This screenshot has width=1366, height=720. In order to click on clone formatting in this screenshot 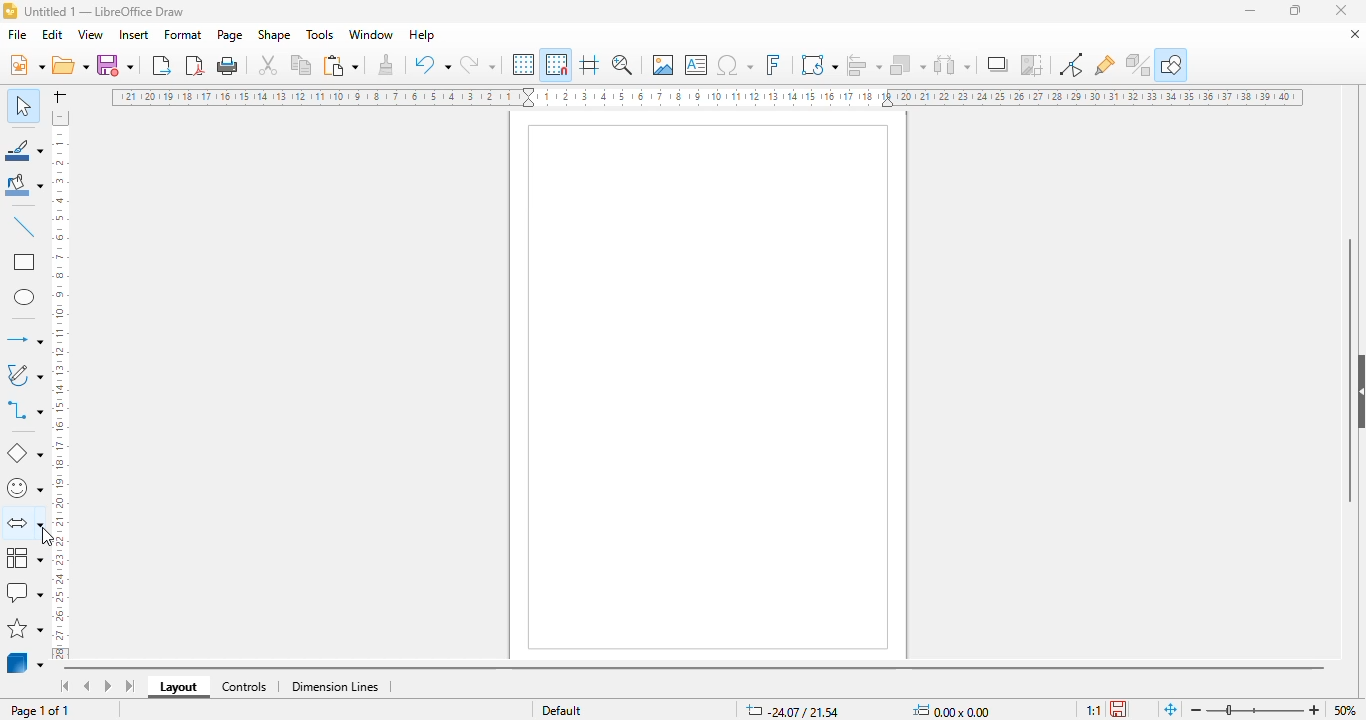, I will do `click(387, 63)`.